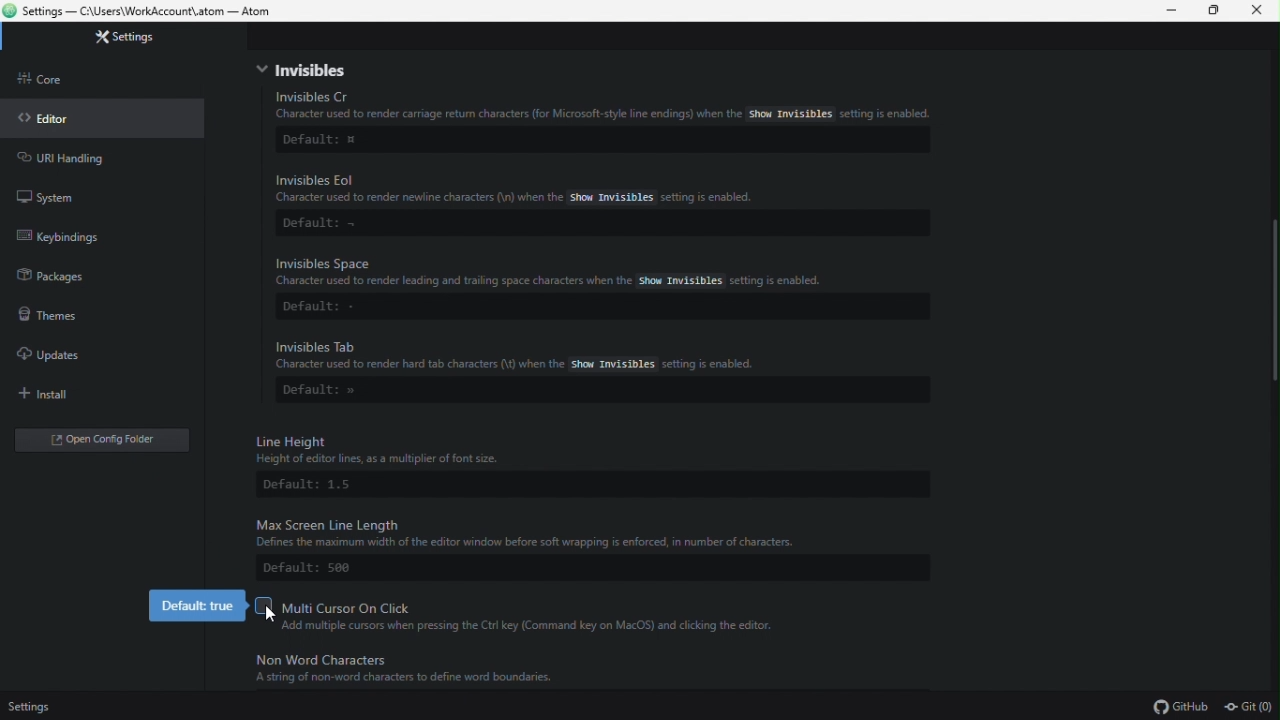  Describe the element at coordinates (329, 139) in the screenshot. I see `Default: #` at that location.